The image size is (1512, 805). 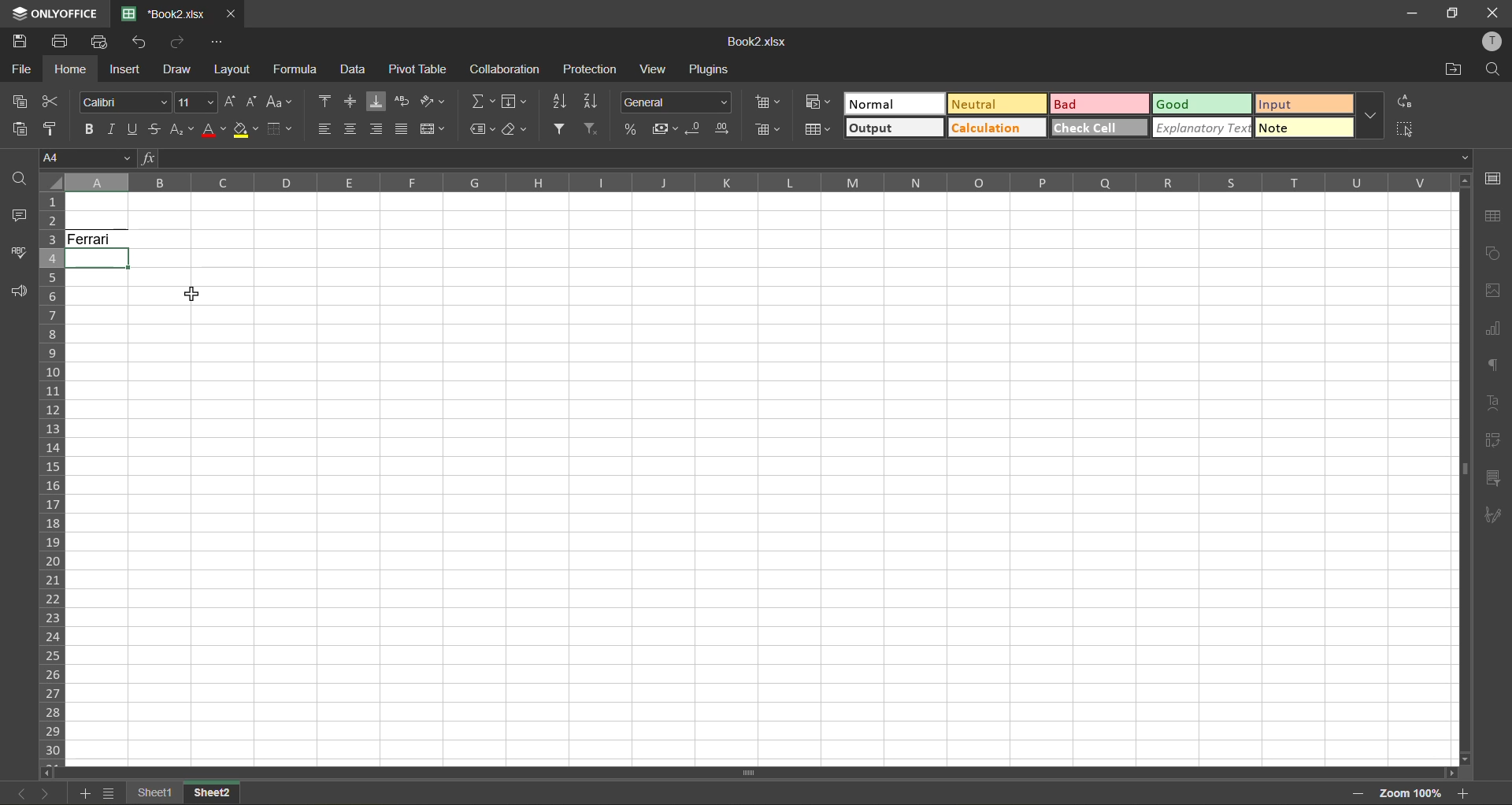 What do you see at coordinates (514, 101) in the screenshot?
I see `fields` at bounding box center [514, 101].